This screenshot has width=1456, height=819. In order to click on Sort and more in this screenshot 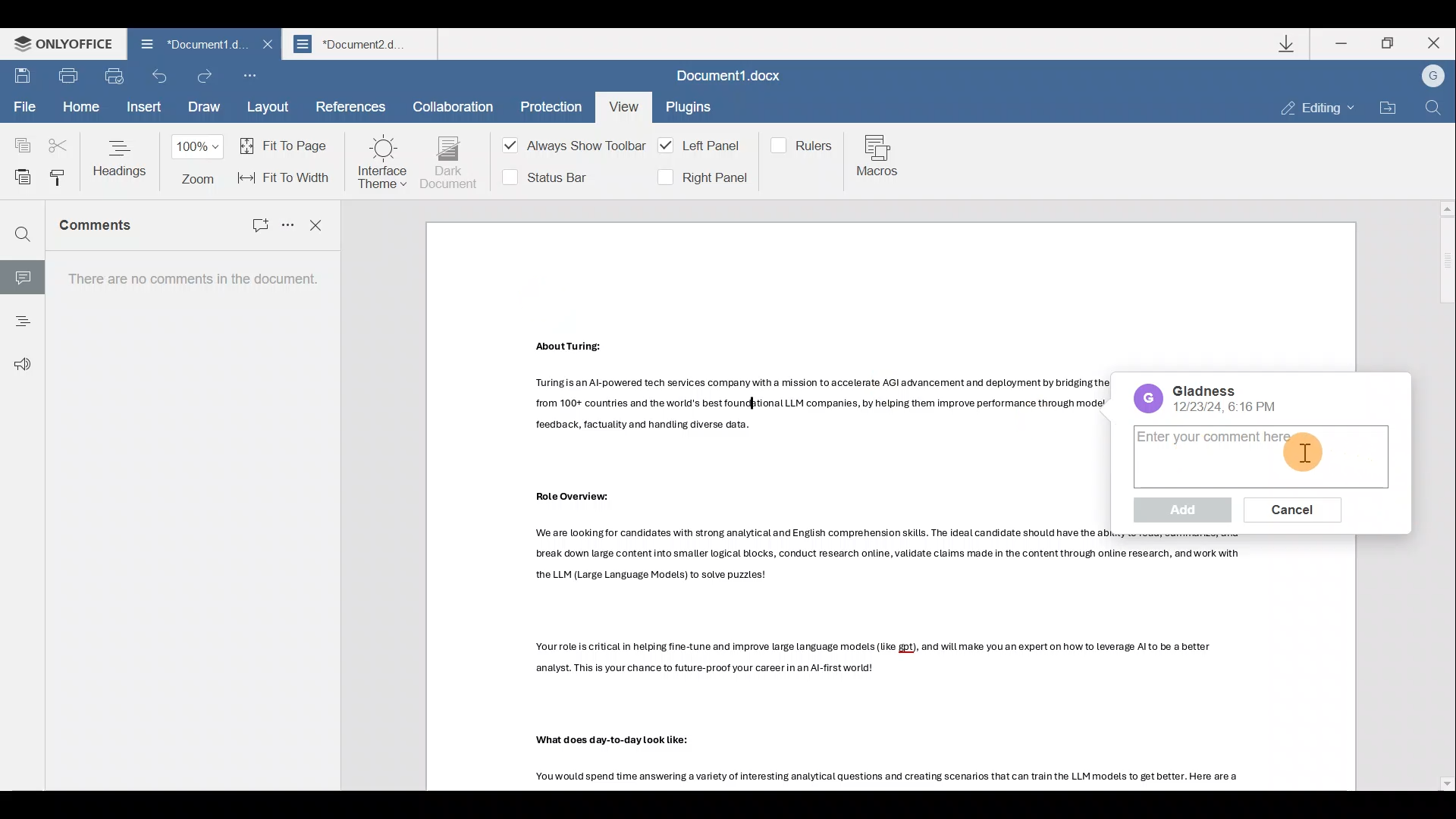, I will do `click(285, 224)`.